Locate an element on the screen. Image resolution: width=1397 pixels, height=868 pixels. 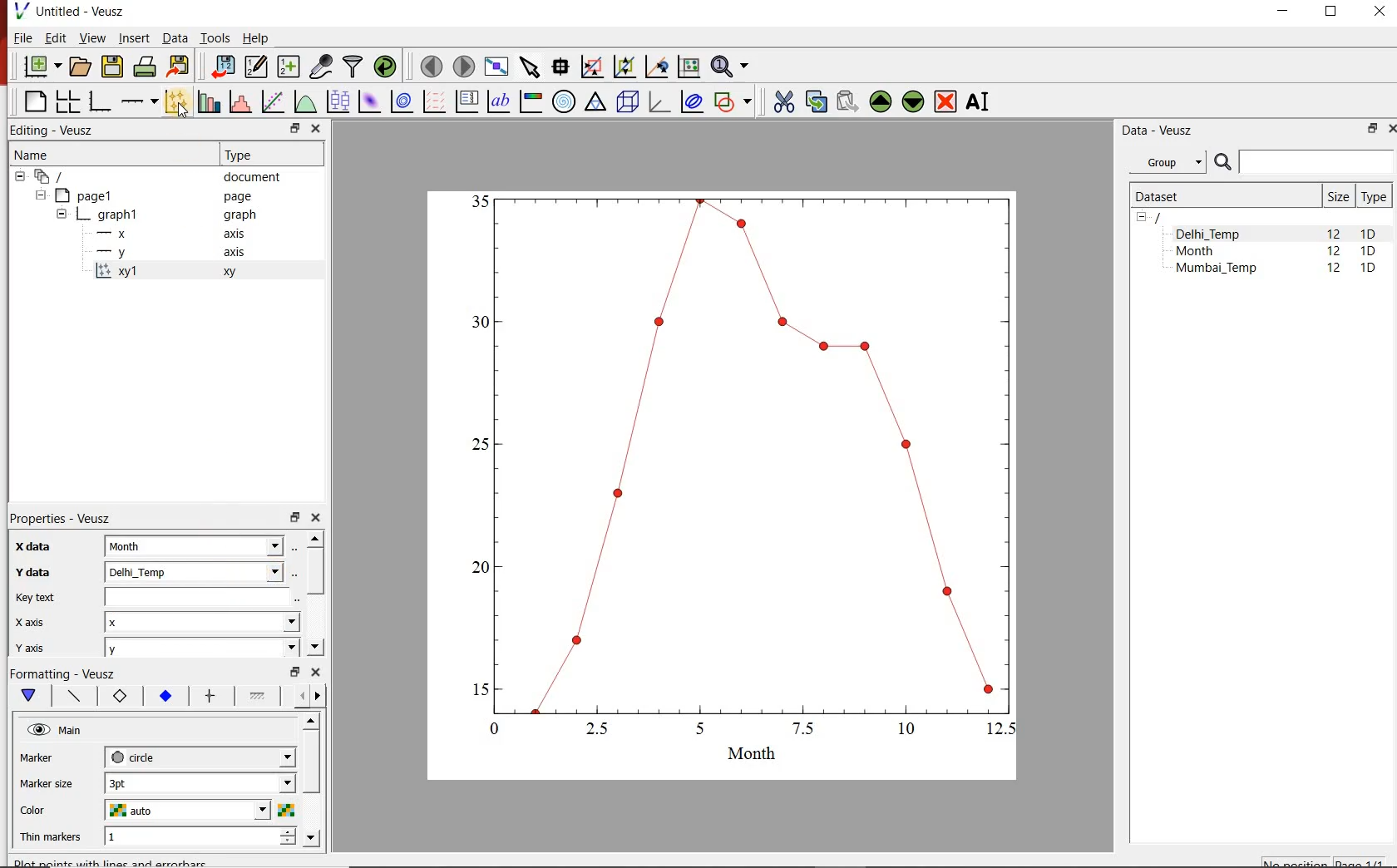
Size is located at coordinates (1338, 196).